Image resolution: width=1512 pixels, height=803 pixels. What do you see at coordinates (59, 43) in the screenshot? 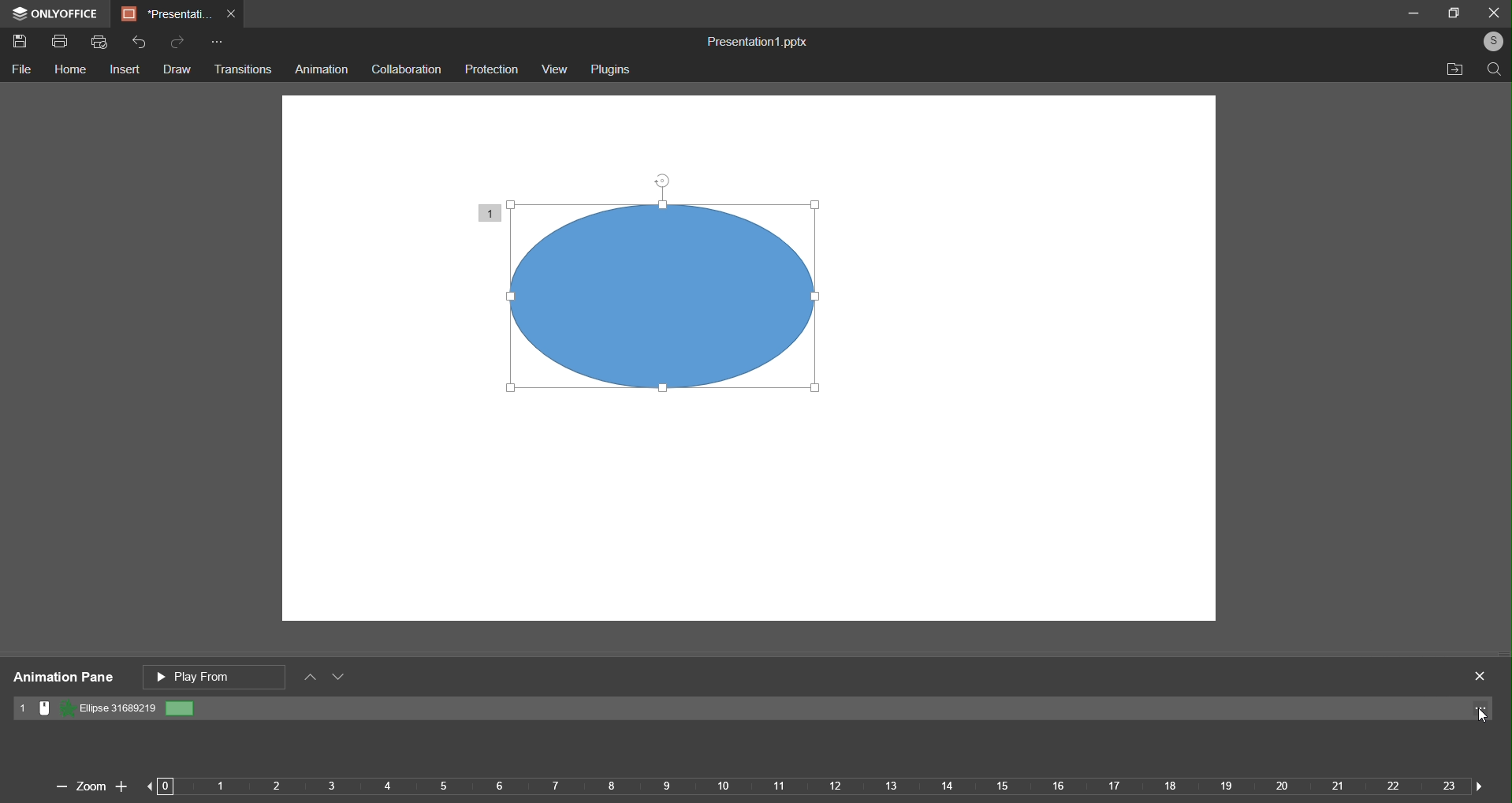
I see `Print` at bounding box center [59, 43].